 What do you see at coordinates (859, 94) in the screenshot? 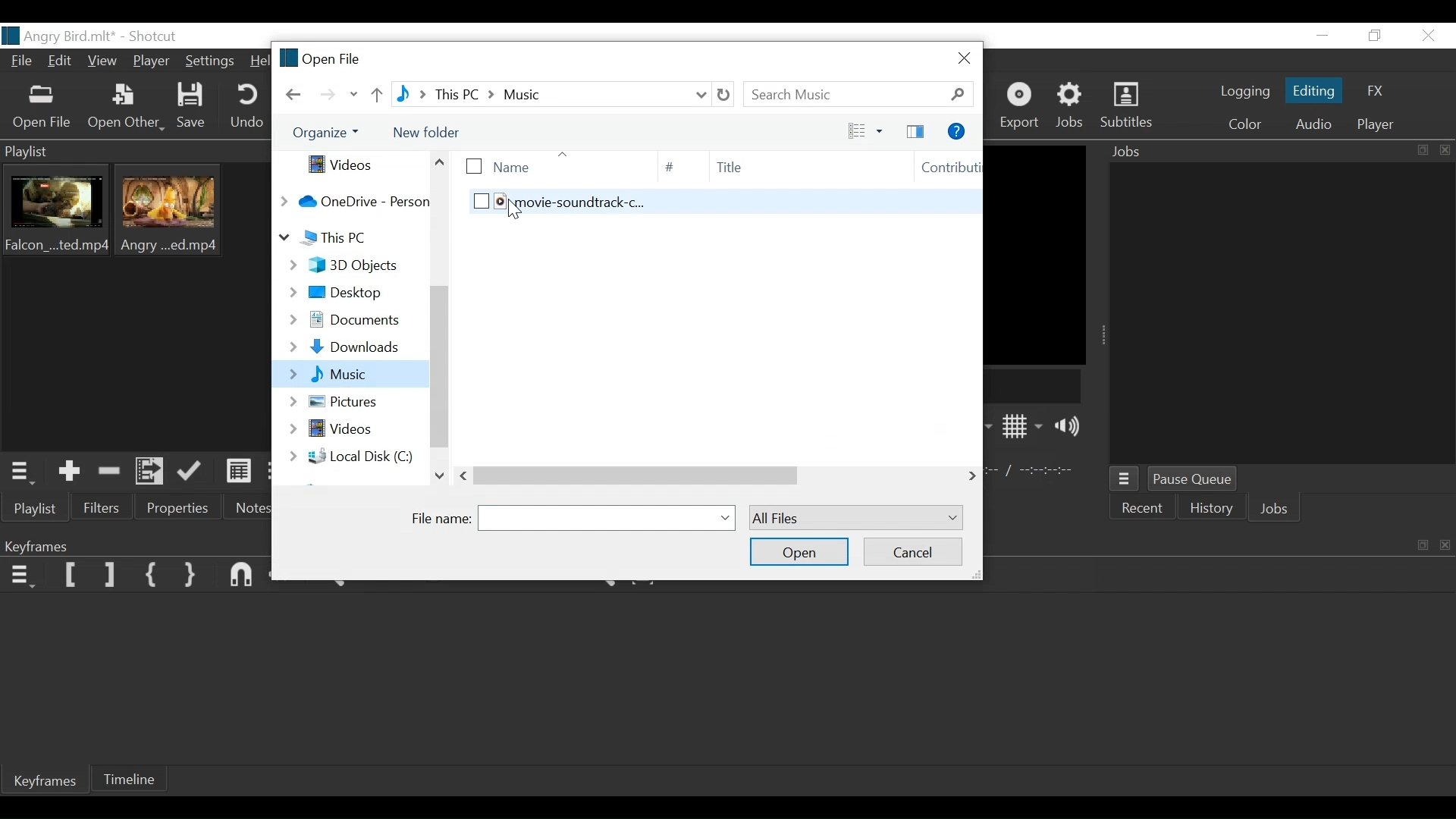
I see `Search Videos` at bounding box center [859, 94].